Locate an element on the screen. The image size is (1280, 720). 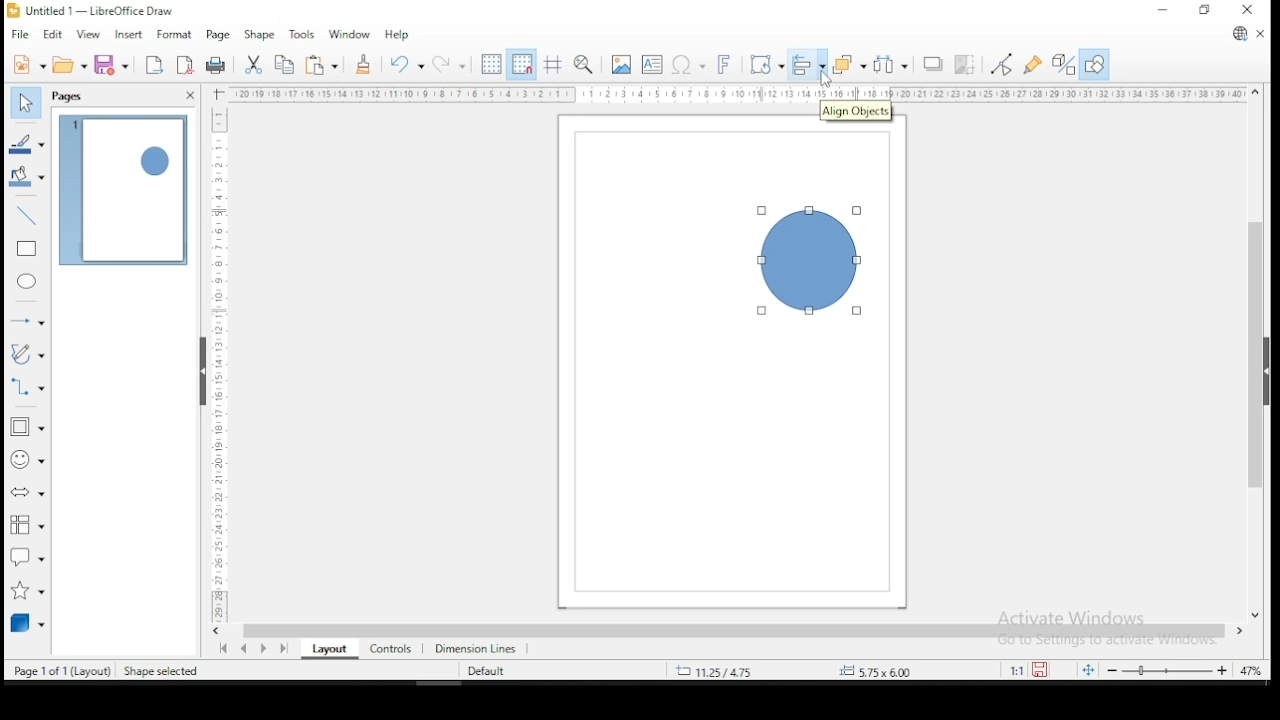
minimize is located at coordinates (1165, 9).